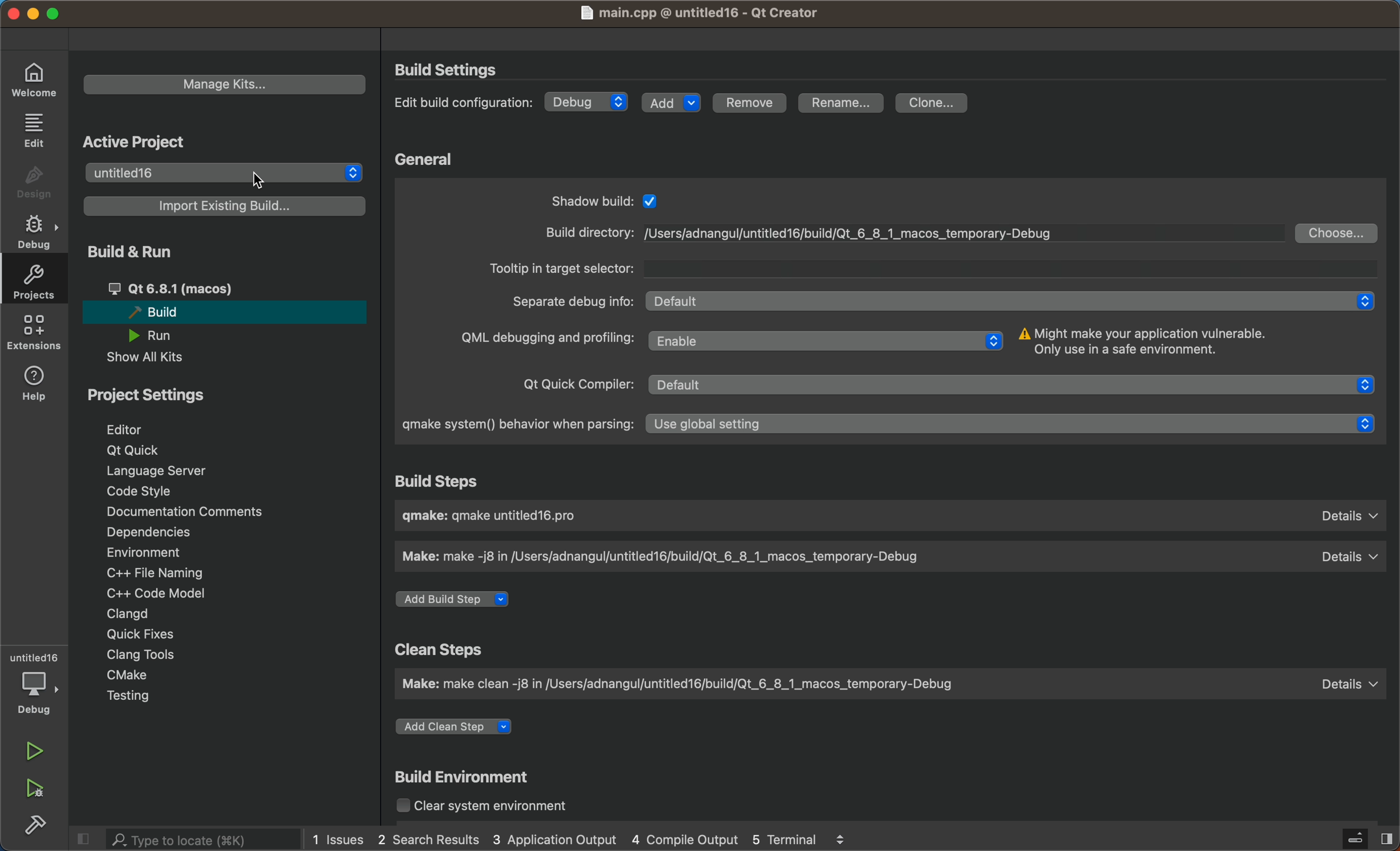 The width and height of the screenshot is (1400, 851). What do you see at coordinates (34, 129) in the screenshot?
I see `edit` at bounding box center [34, 129].